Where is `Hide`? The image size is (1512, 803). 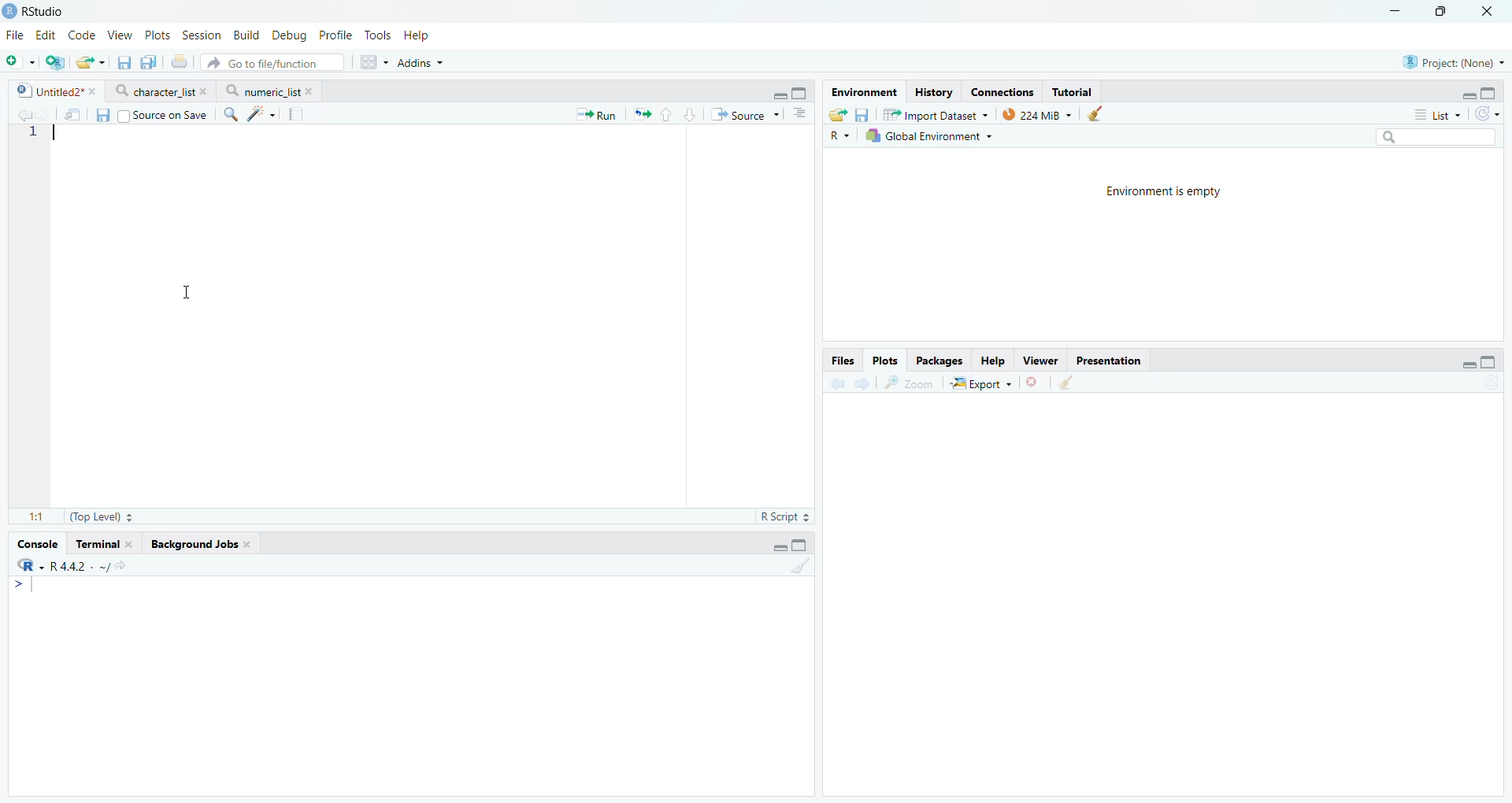
Hide is located at coordinates (778, 546).